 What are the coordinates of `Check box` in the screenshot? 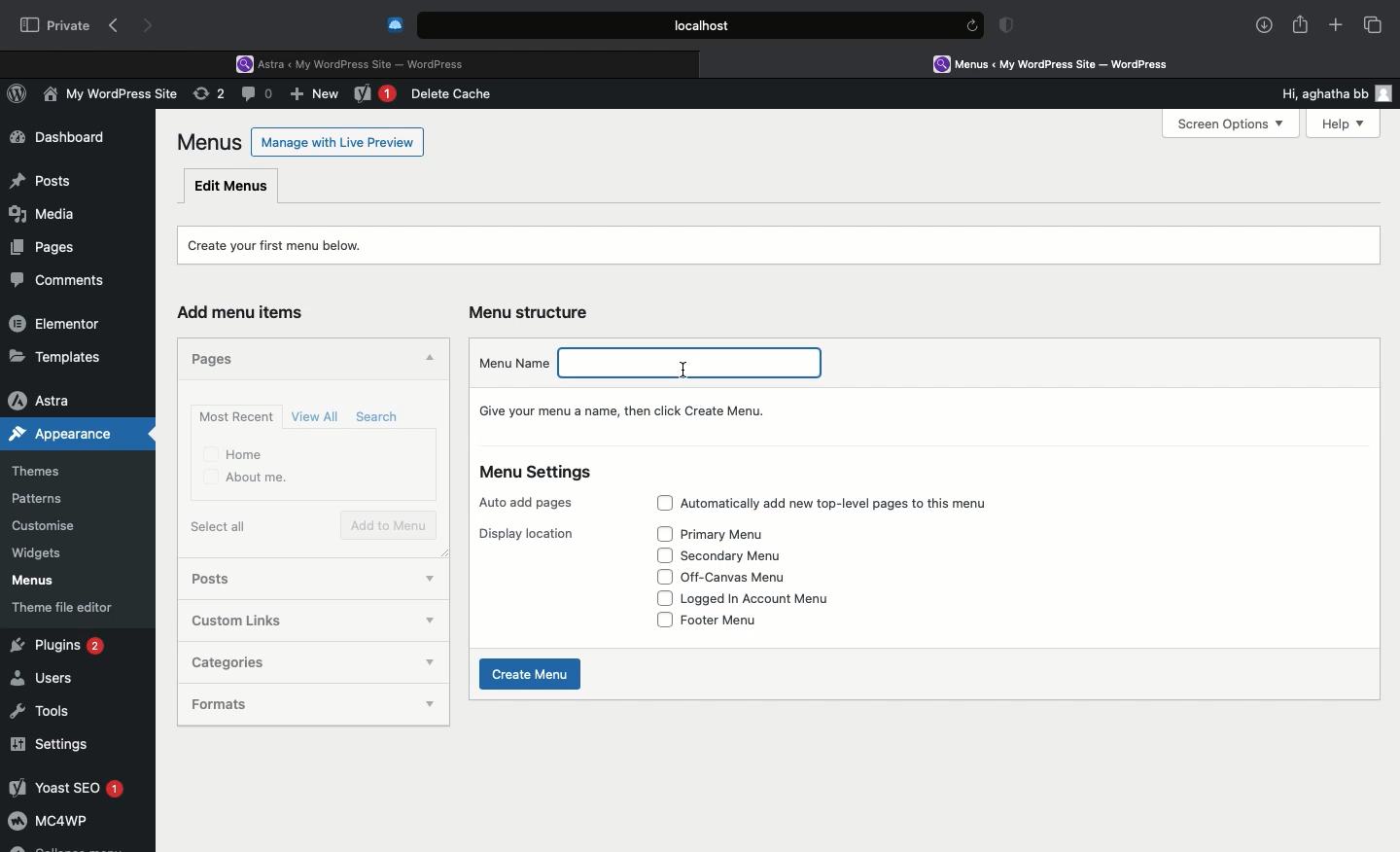 It's located at (664, 534).